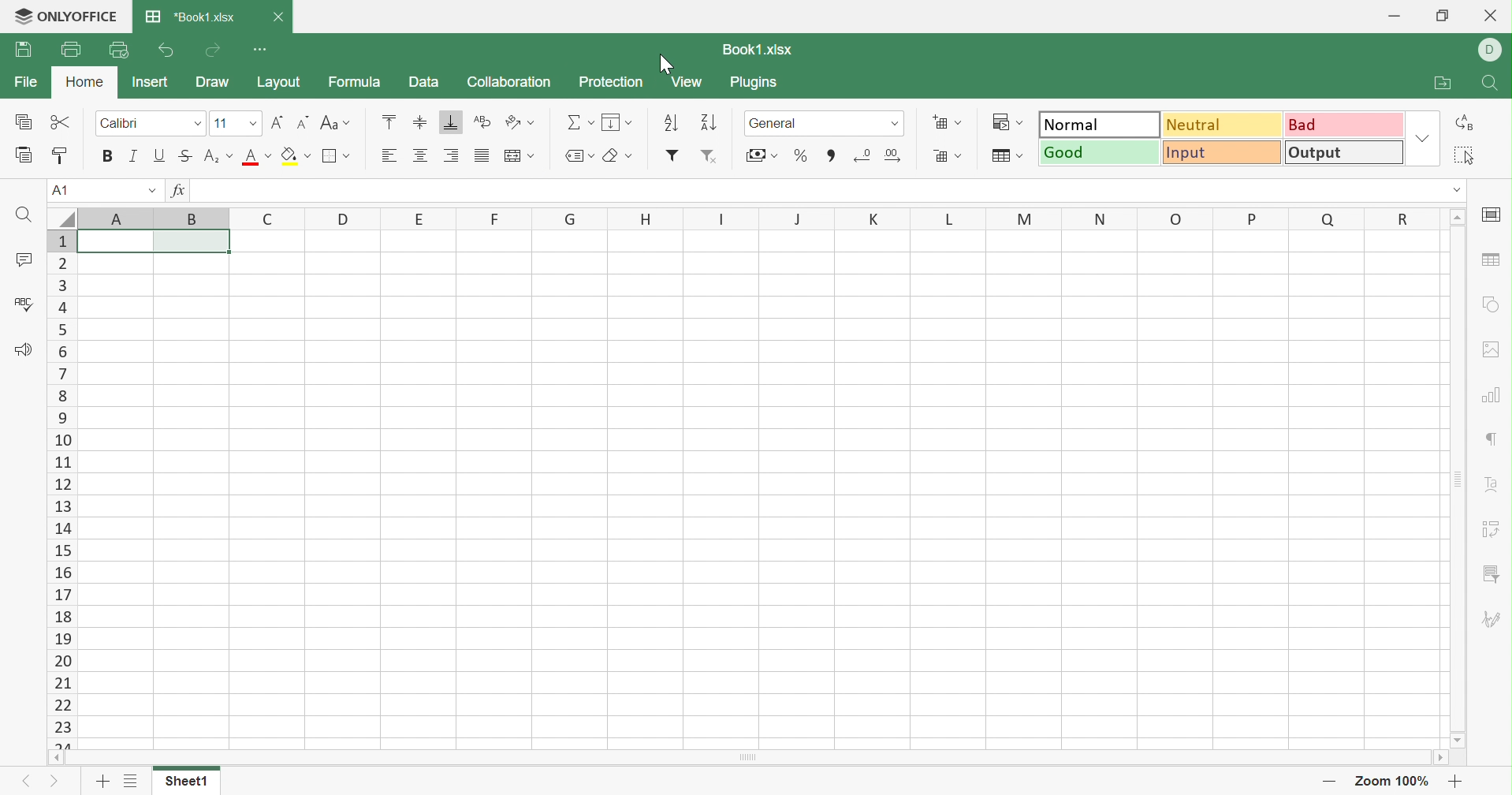  Describe the element at coordinates (21, 305) in the screenshot. I see `Check spelling` at that location.